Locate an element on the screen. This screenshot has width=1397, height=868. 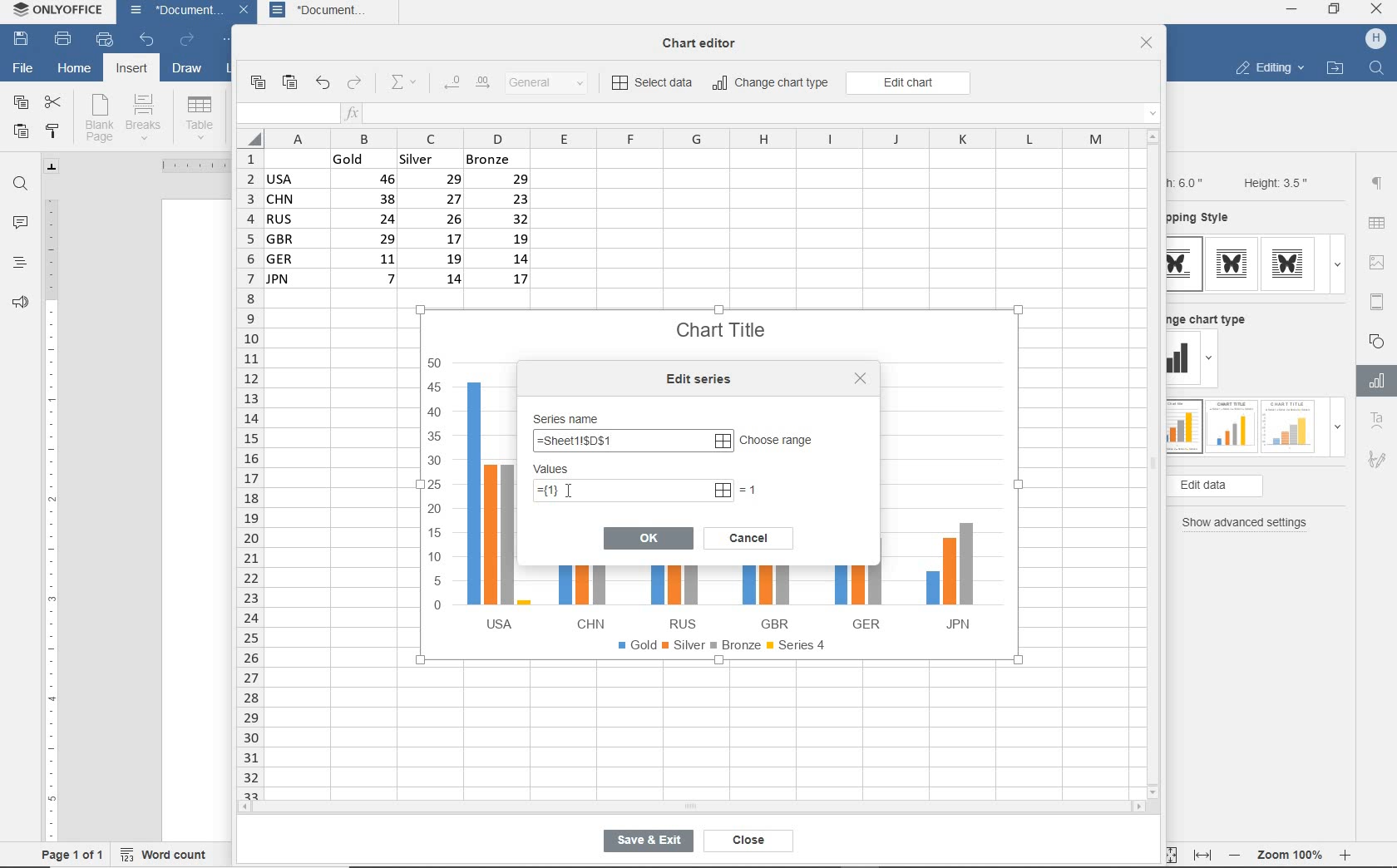
find is located at coordinates (22, 184).